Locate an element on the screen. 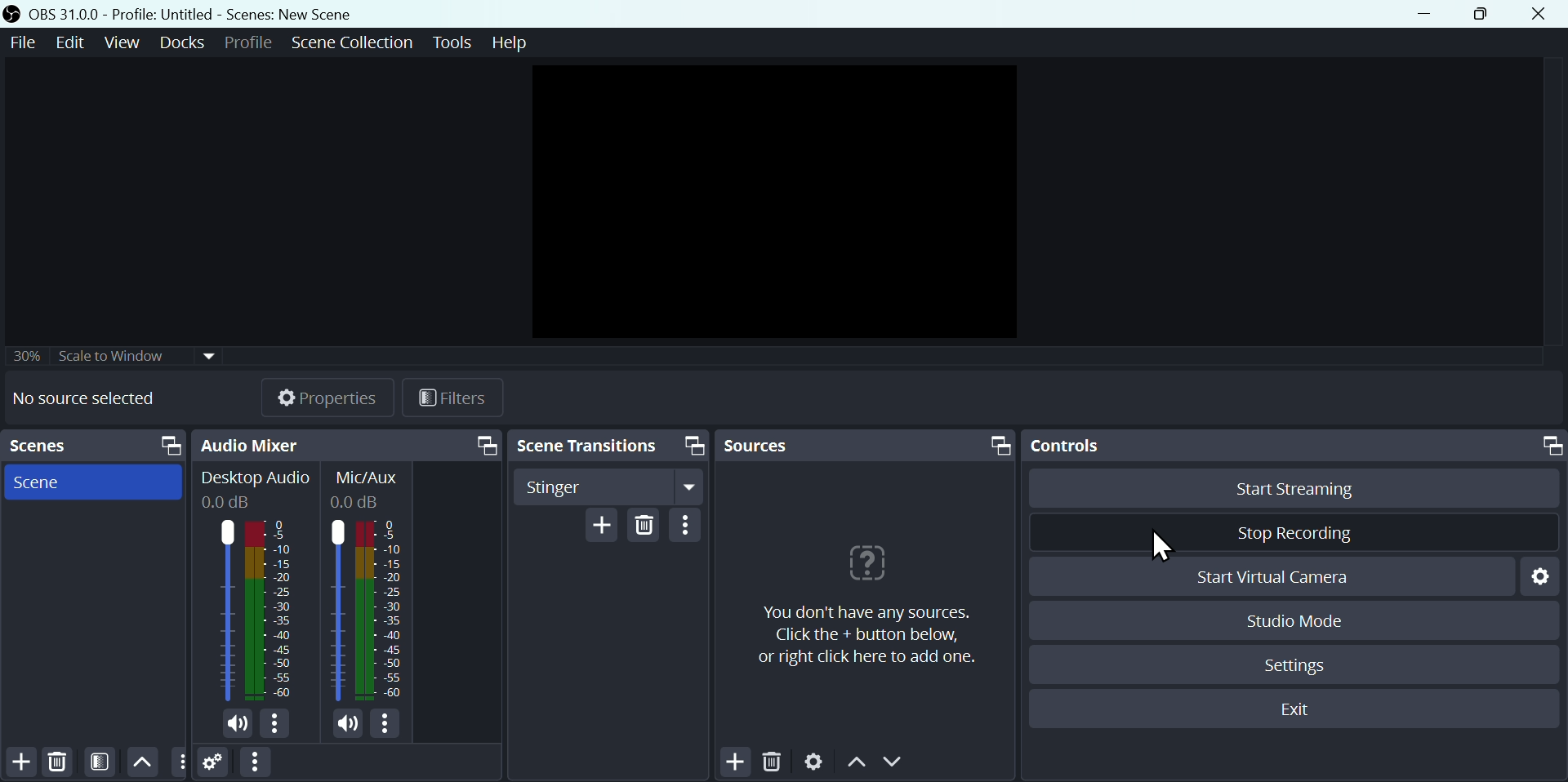 This screenshot has width=1568, height=782. up is located at coordinates (141, 762).